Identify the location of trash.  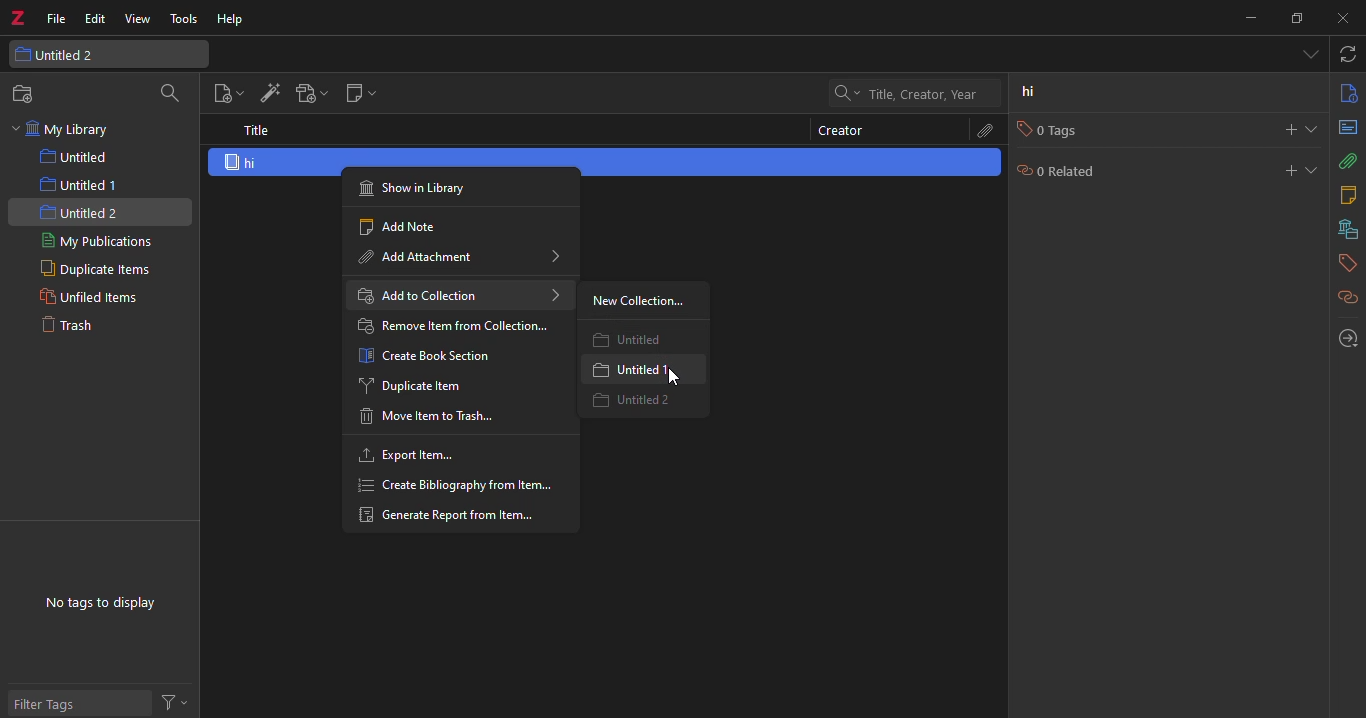
(74, 326).